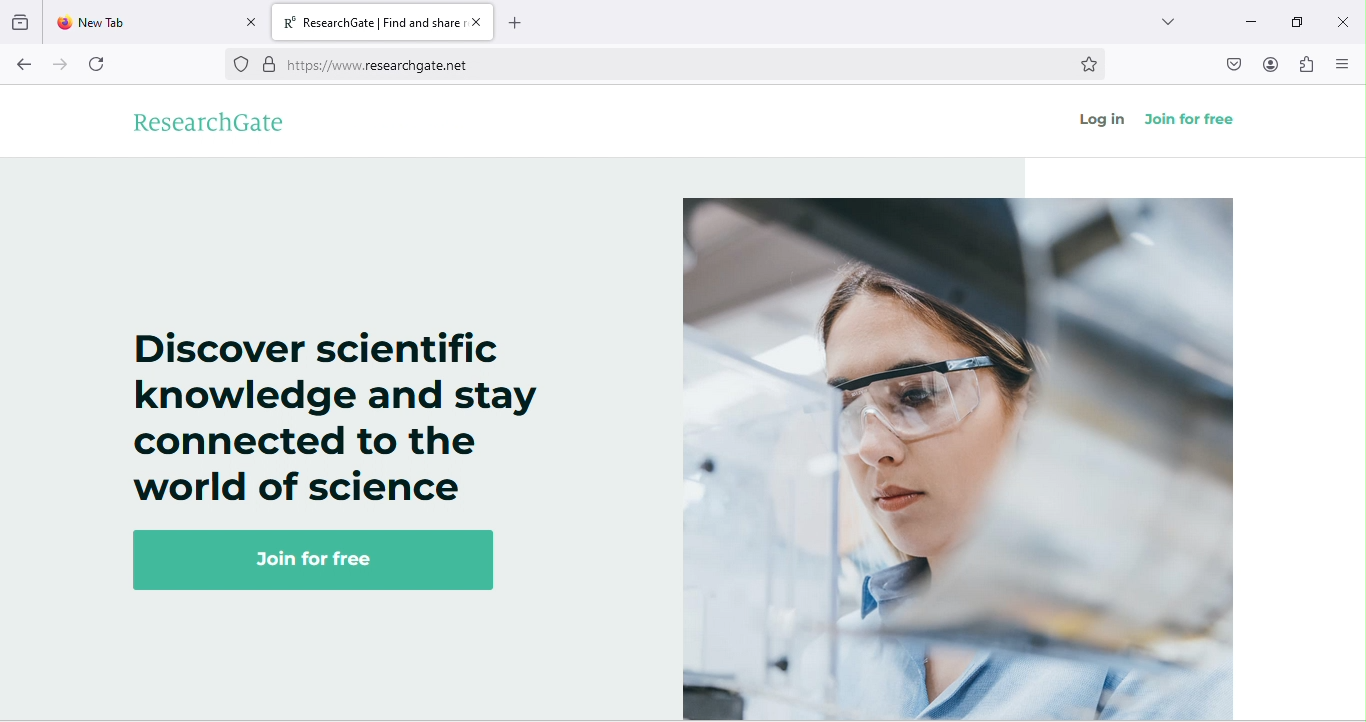  What do you see at coordinates (330, 413) in the screenshot?
I see `Discover scientific knowledge and stay connected to the world of science` at bounding box center [330, 413].